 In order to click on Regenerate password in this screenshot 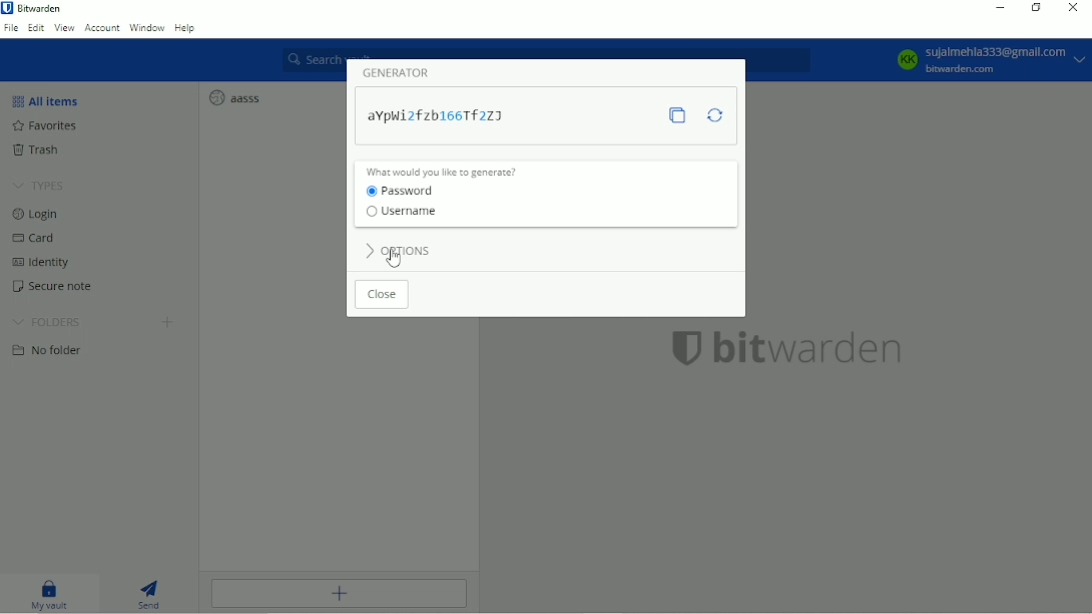, I will do `click(715, 115)`.